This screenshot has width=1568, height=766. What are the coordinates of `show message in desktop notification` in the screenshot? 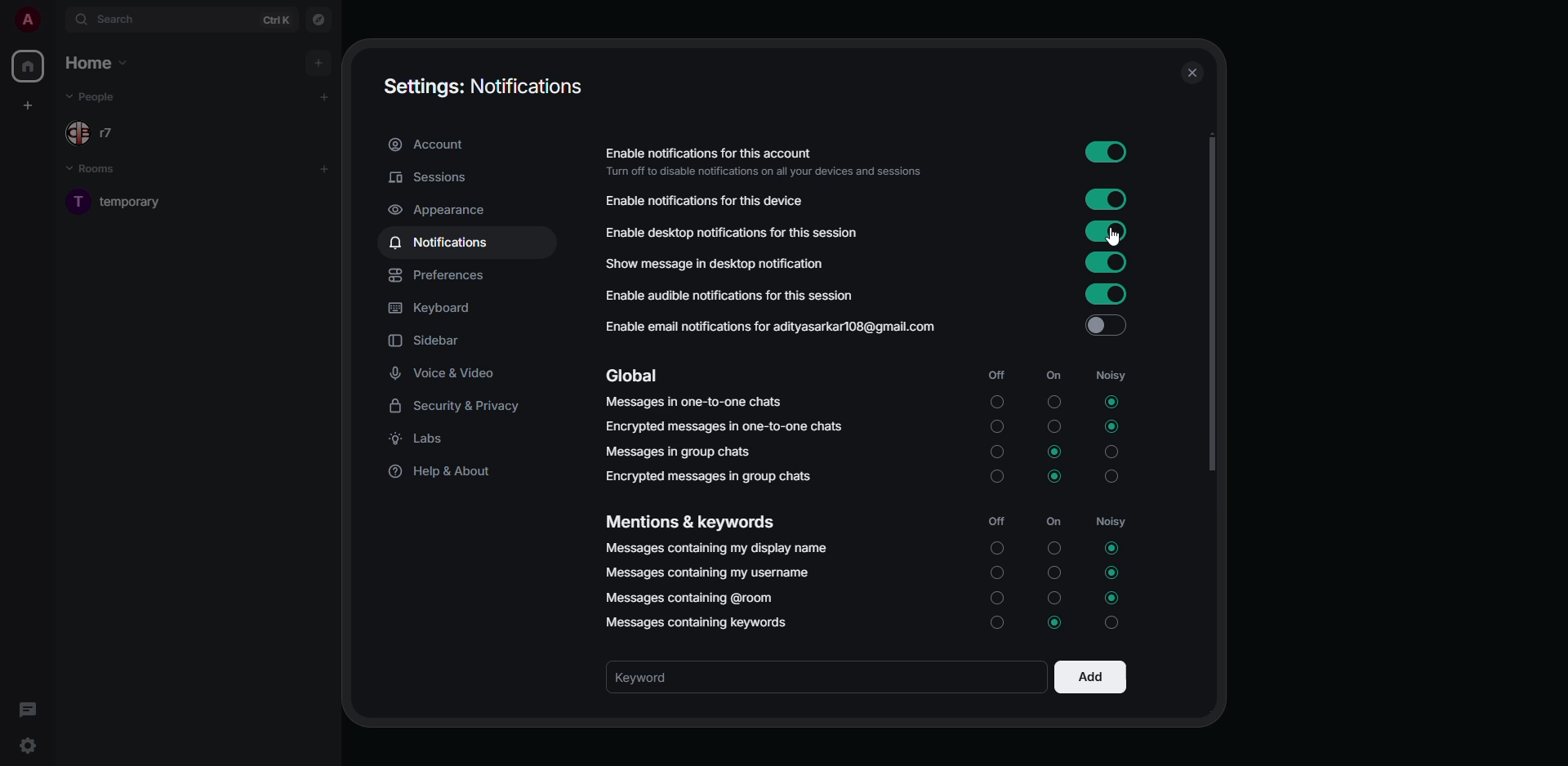 It's located at (713, 263).